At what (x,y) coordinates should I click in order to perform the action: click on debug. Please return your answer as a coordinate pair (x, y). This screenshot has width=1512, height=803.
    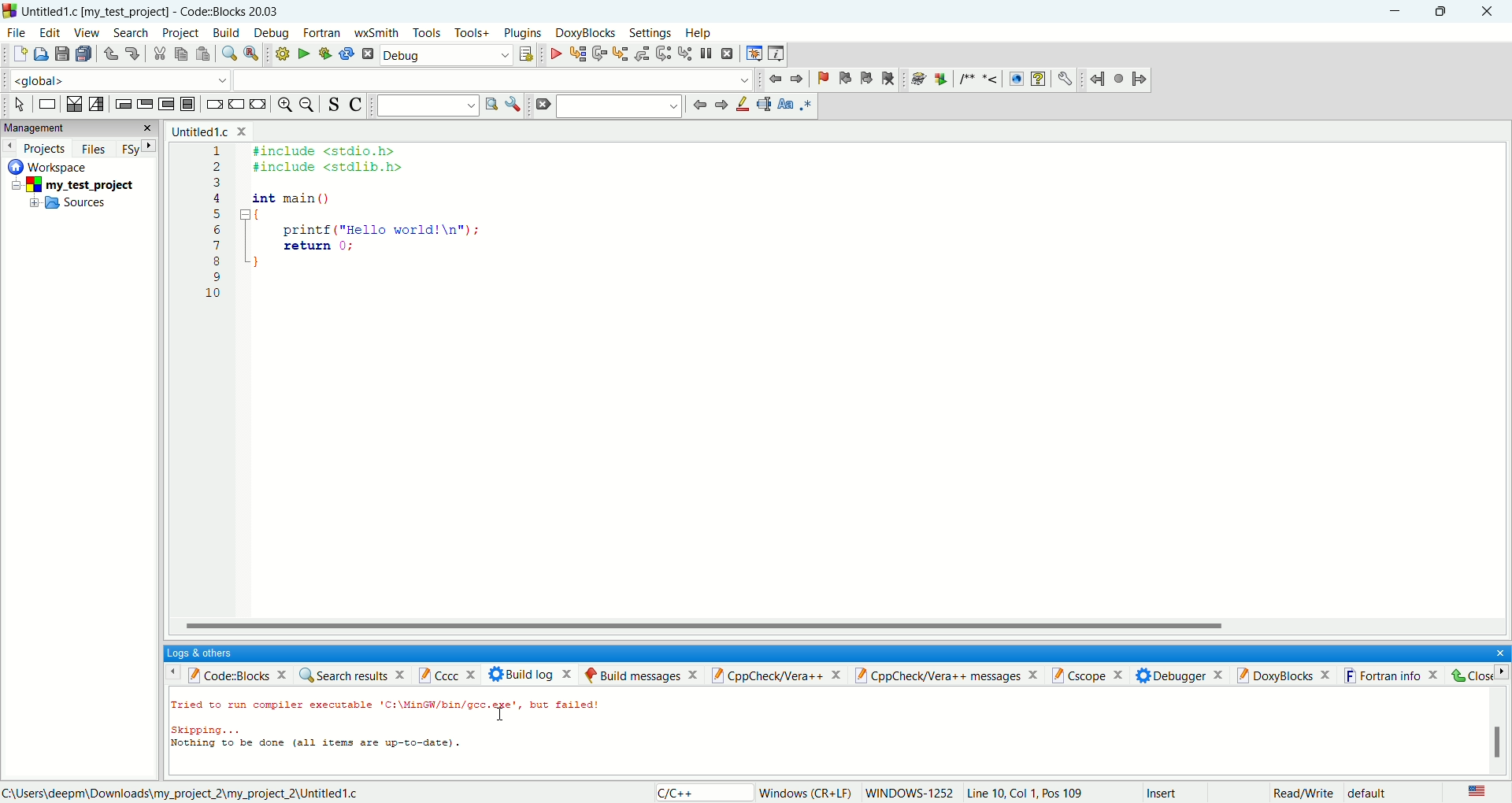
    Looking at the image, I should click on (271, 33).